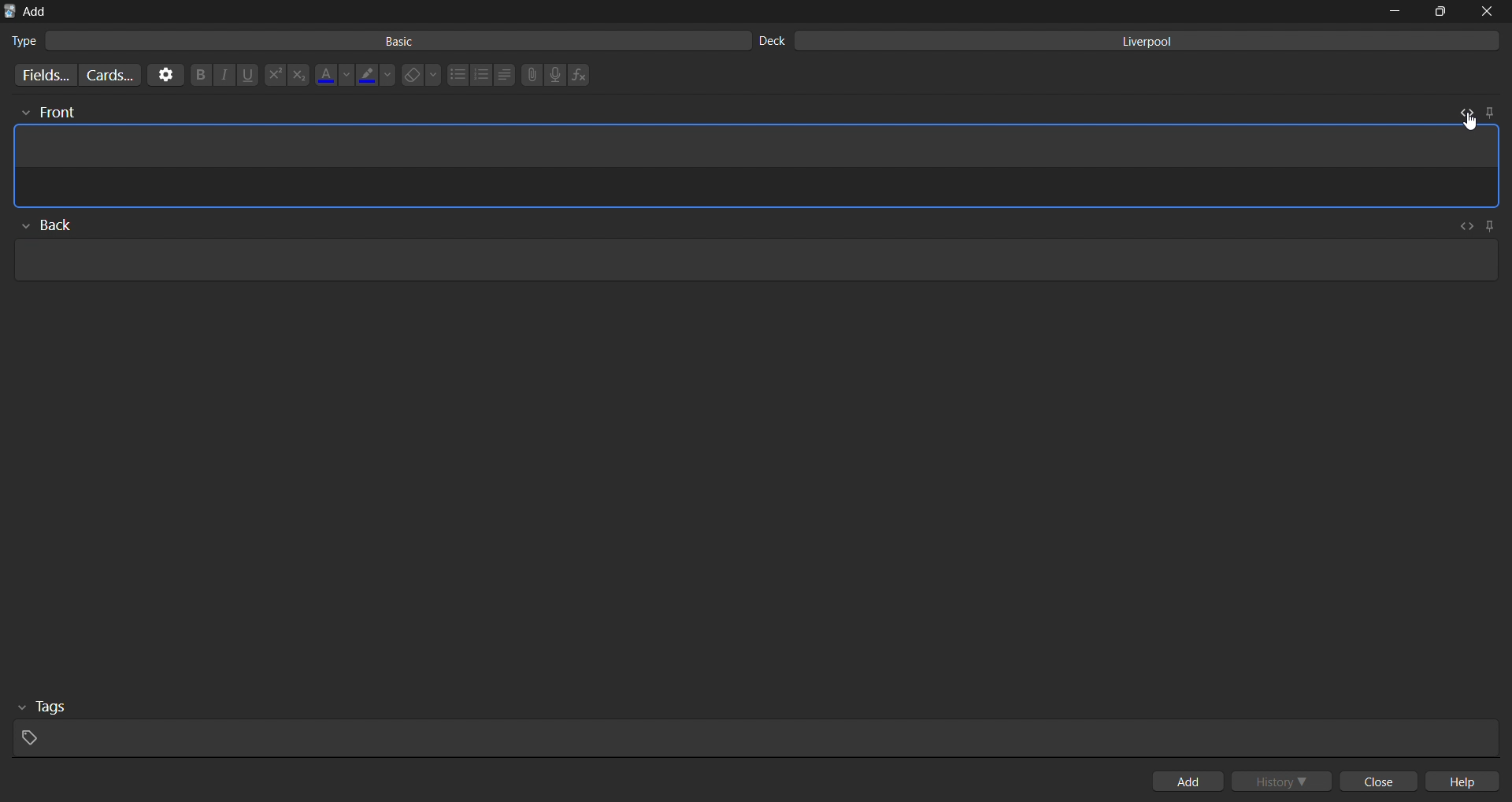 This screenshot has height=802, width=1512. I want to click on customize card templates, so click(109, 74).